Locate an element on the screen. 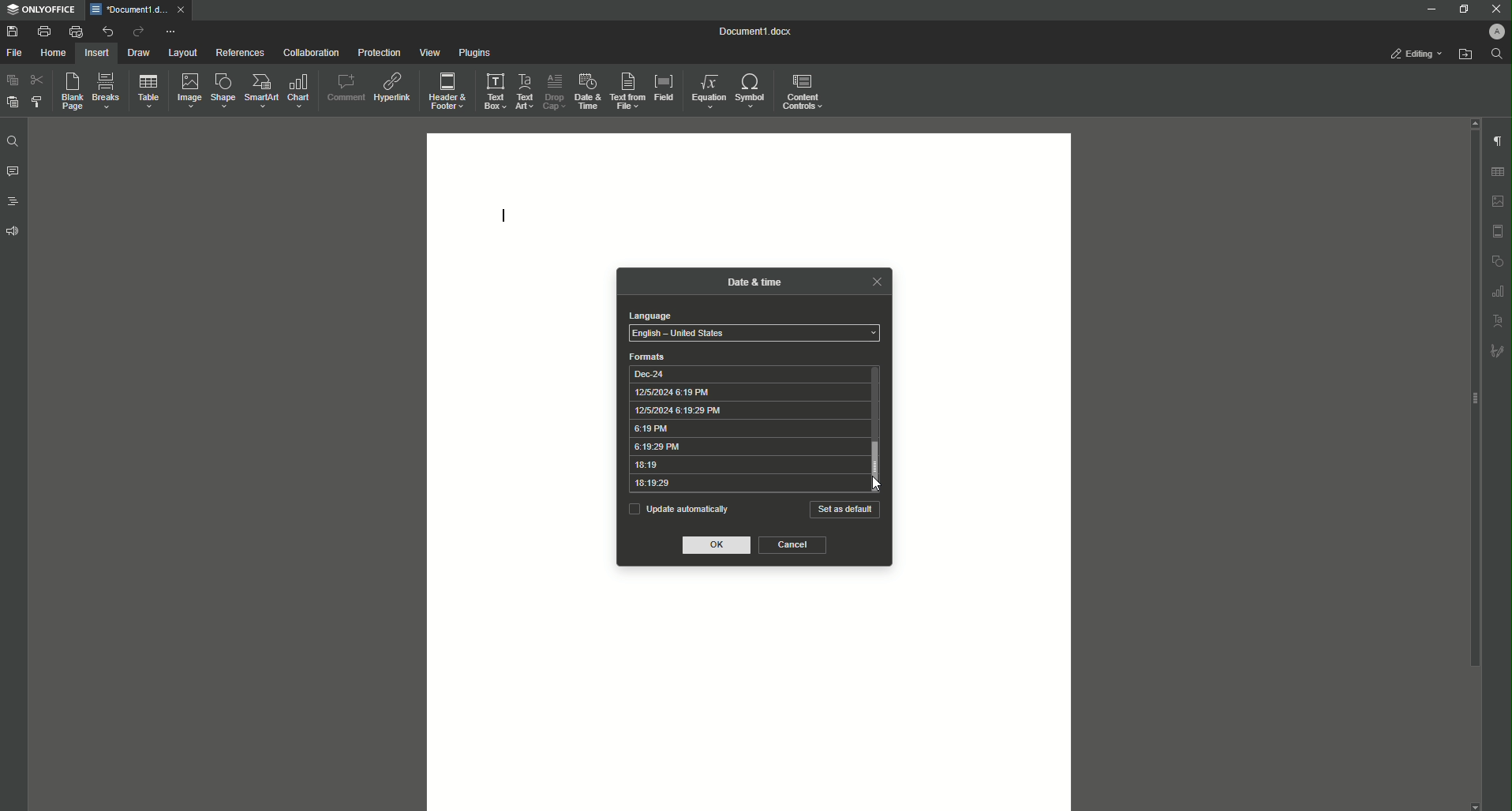 This screenshot has width=1512, height=811. Print is located at coordinates (43, 31).